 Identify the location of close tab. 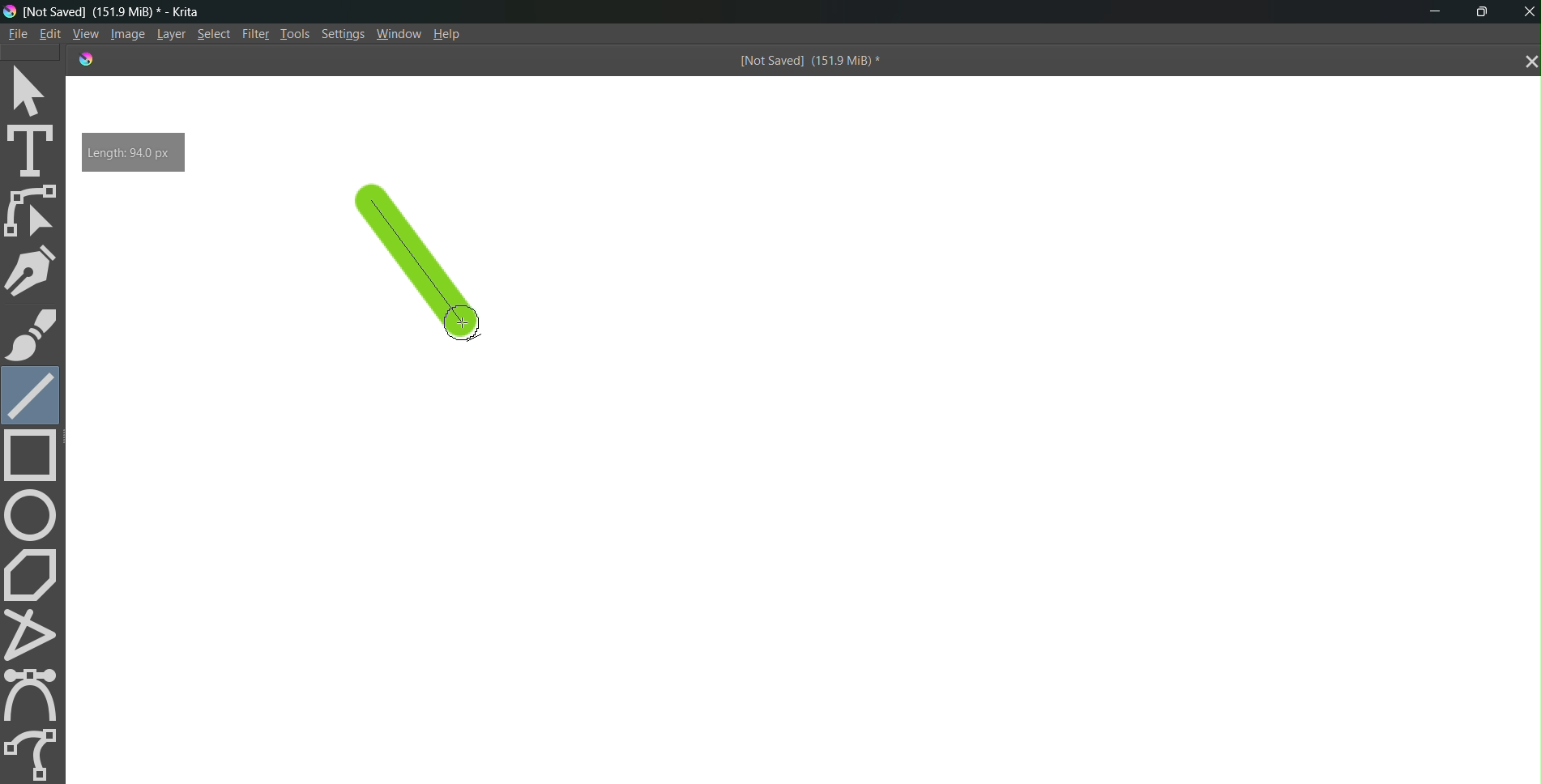
(1526, 62).